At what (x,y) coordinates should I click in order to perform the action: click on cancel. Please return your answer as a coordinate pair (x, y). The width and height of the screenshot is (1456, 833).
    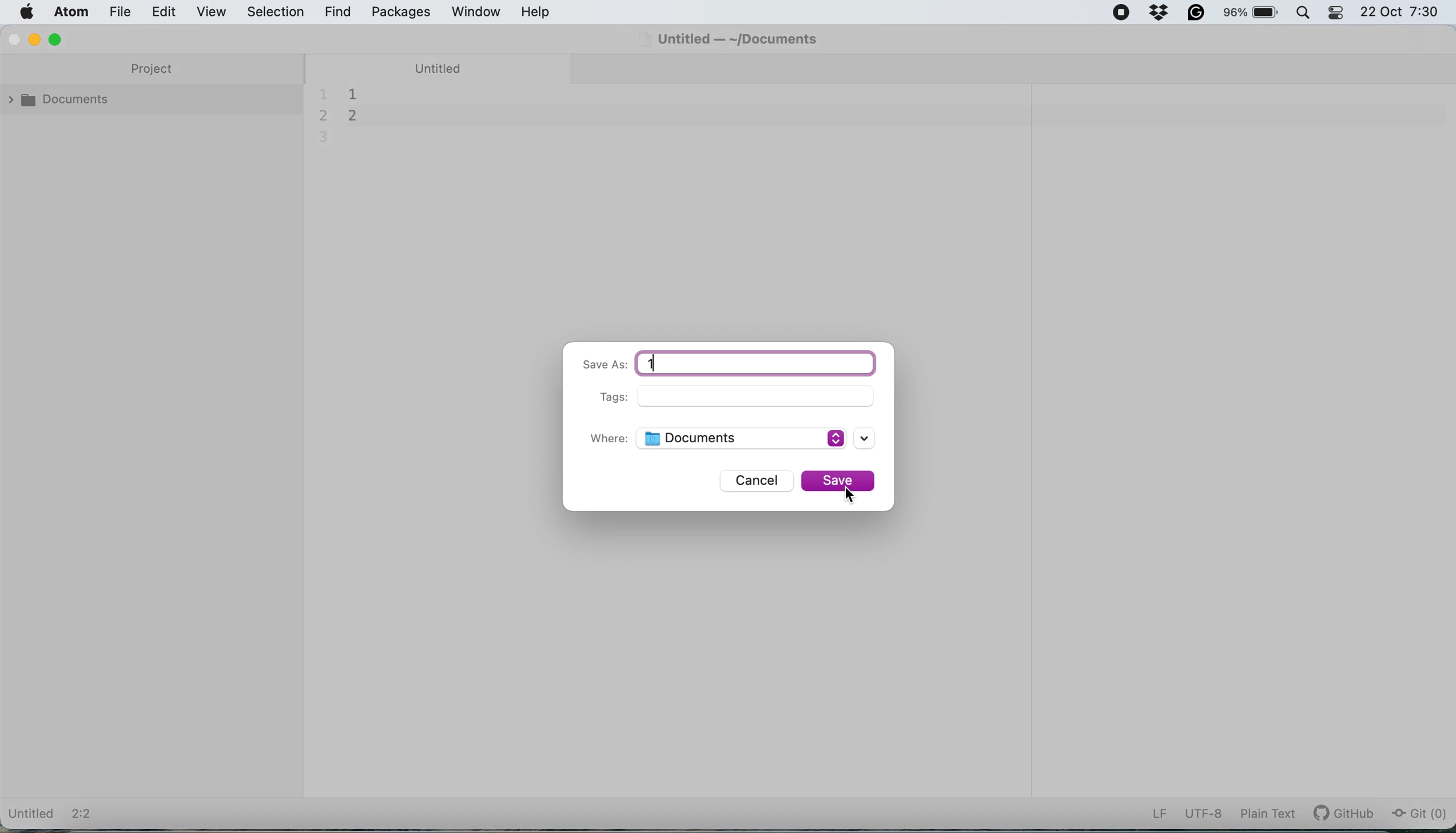
    Looking at the image, I should click on (754, 481).